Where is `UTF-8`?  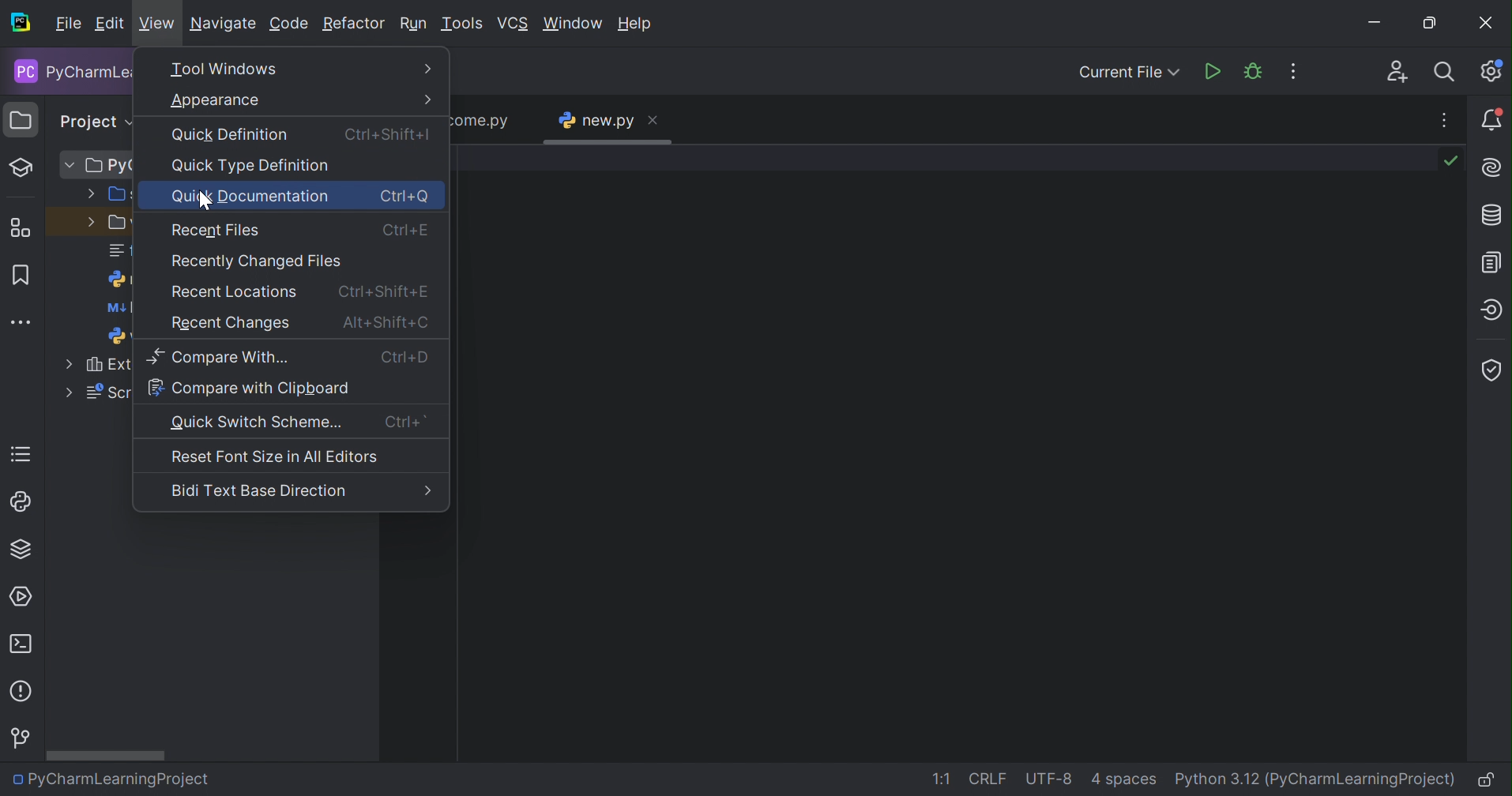 UTF-8 is located at coordinates (1053, 777).